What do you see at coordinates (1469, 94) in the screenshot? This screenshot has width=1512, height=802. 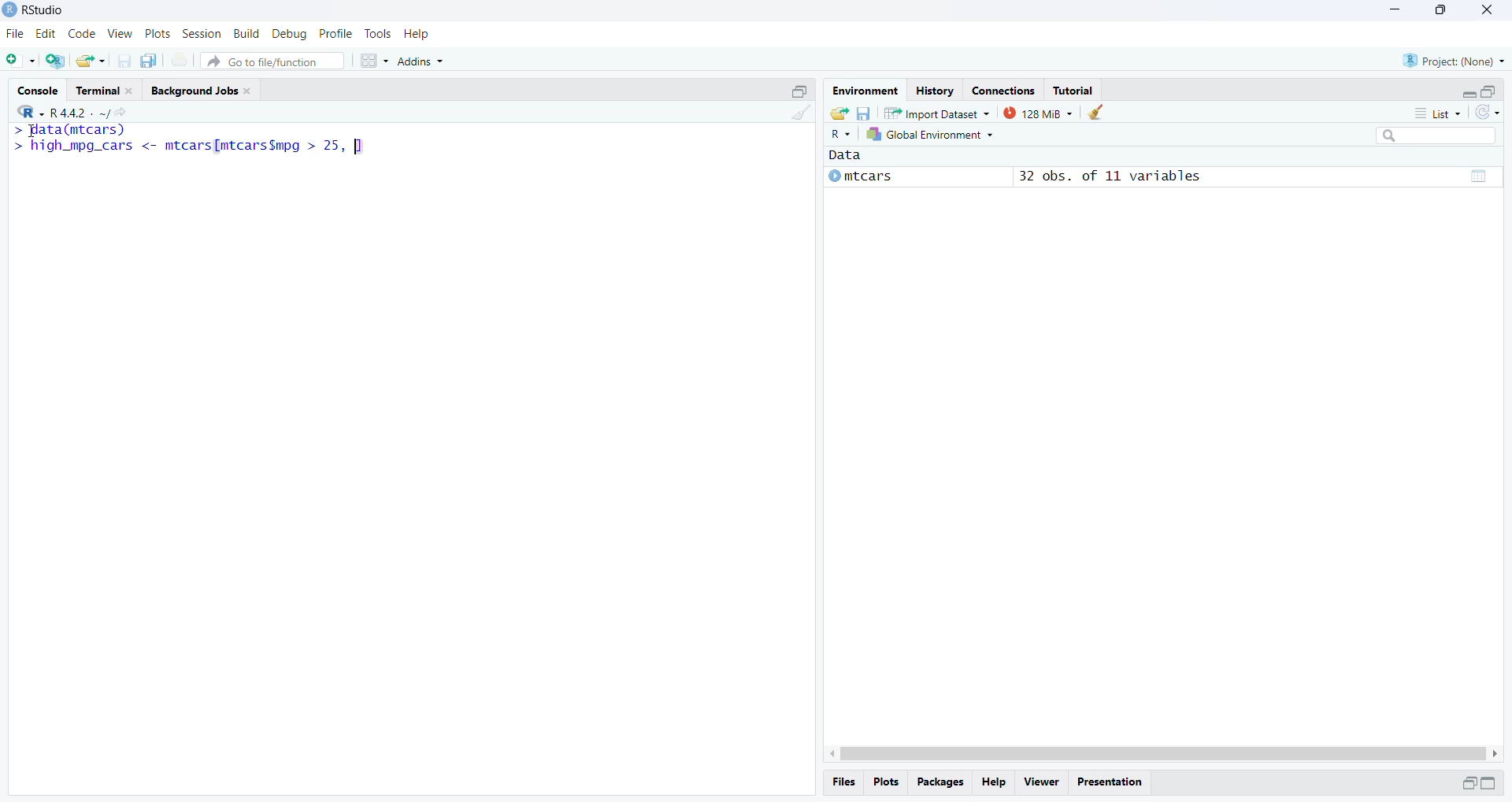 I see `minimize` at bounding box center [1469, 94].